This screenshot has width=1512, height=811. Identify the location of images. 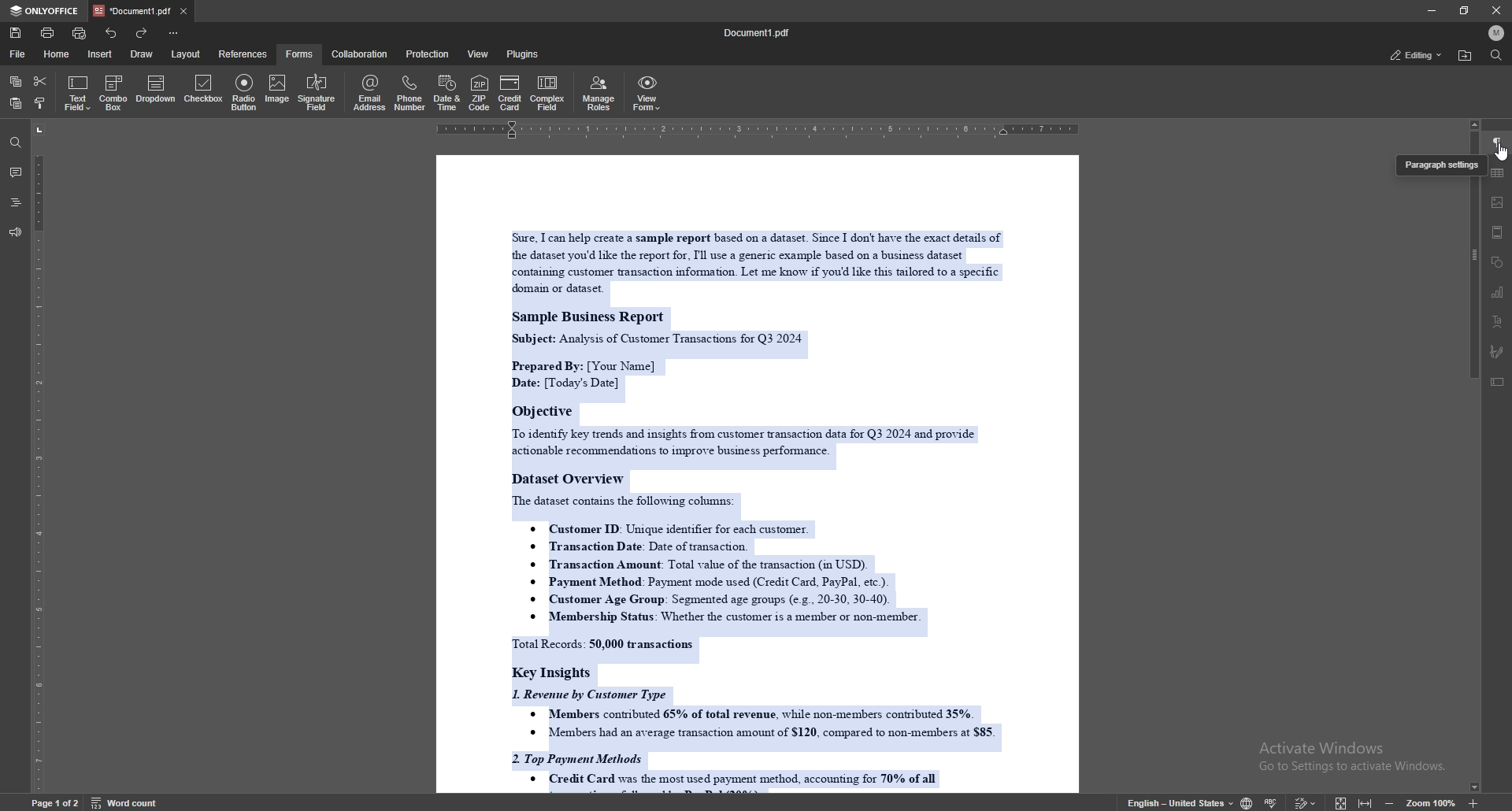
(1498, 202).